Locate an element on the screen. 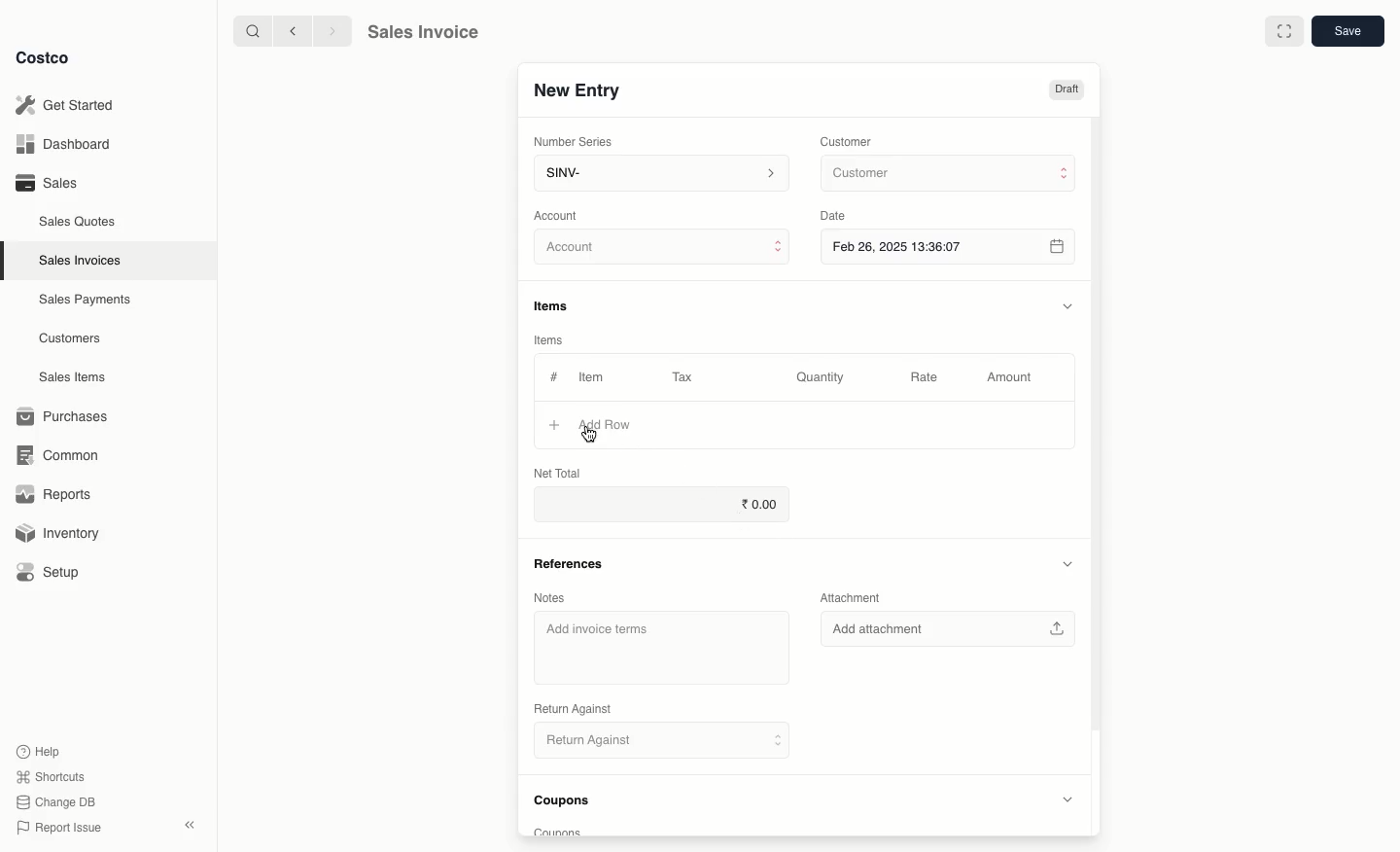 This screenshot has width=1400, height=852. Amount is located at coordinates (1015, 377).